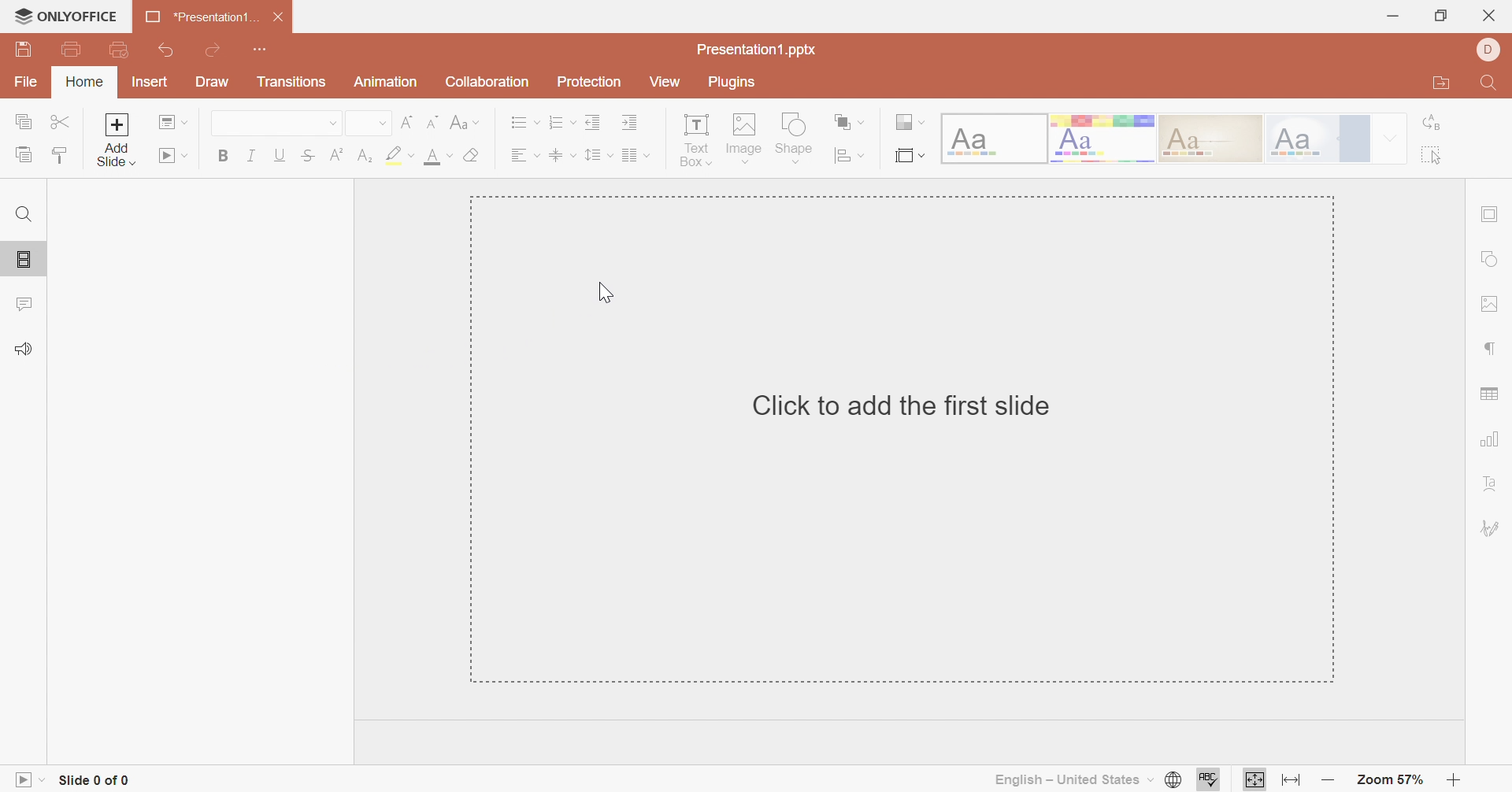 Image resolution: width=1512 pixels, height=792 pixels. What do you see at coordinates (291, 81) in the screenshot?
I see `Transitions` at bounding box center [291, 81].